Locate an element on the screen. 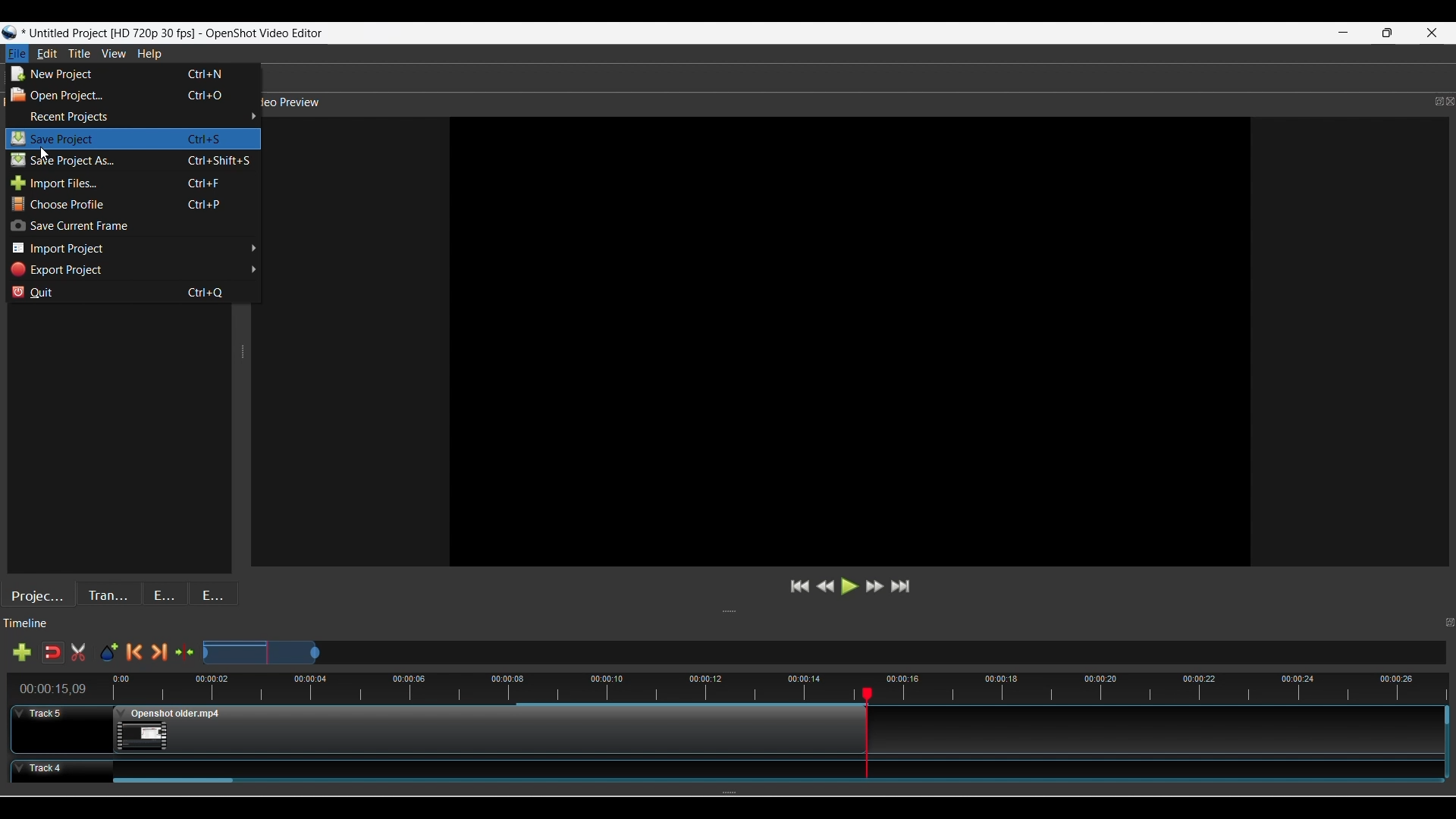 Image resolution: width=1456 pixels, height=819 pixels. Import project options is located at coordinates (133, 249).